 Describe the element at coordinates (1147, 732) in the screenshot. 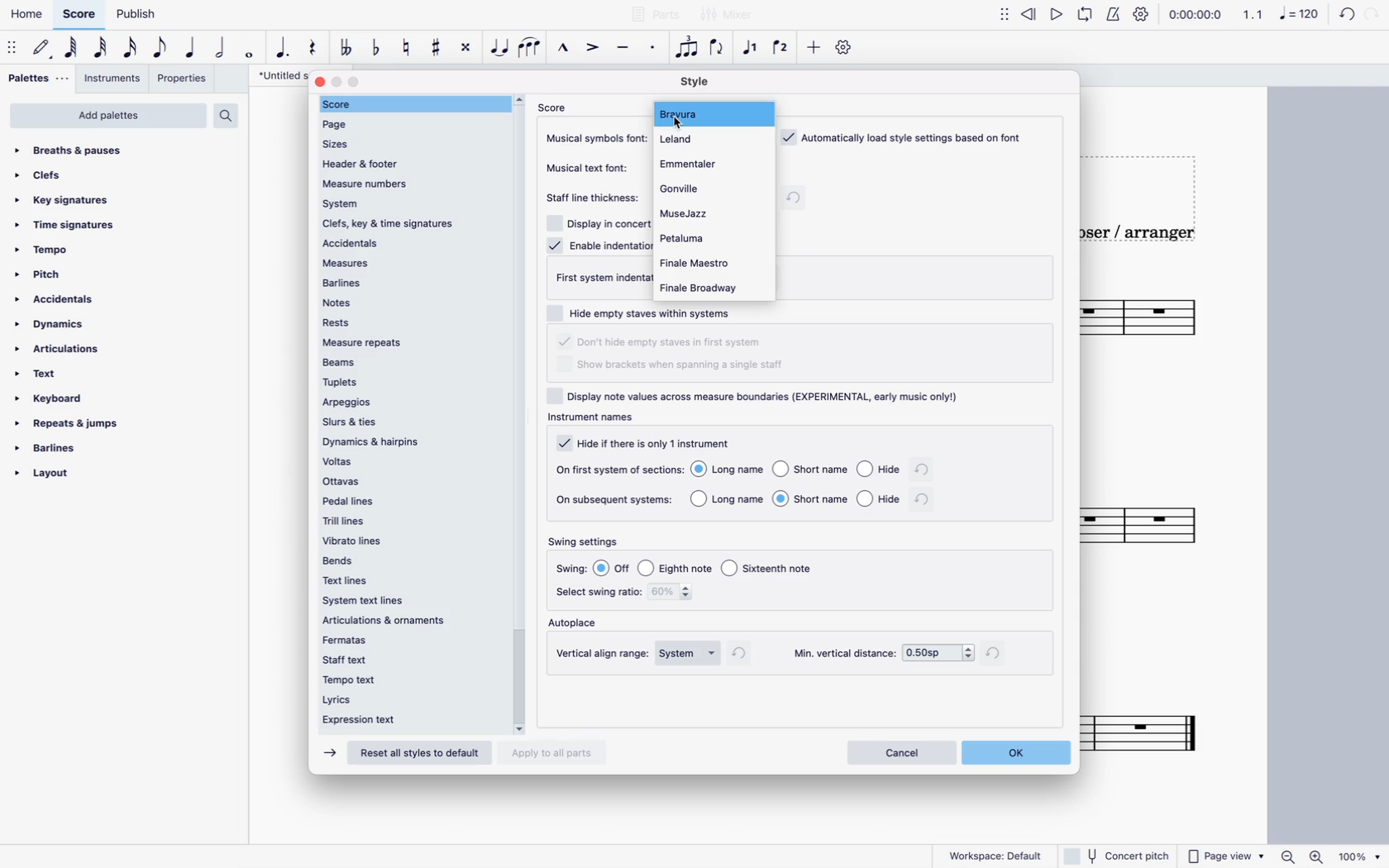

I see `Score` at that location.